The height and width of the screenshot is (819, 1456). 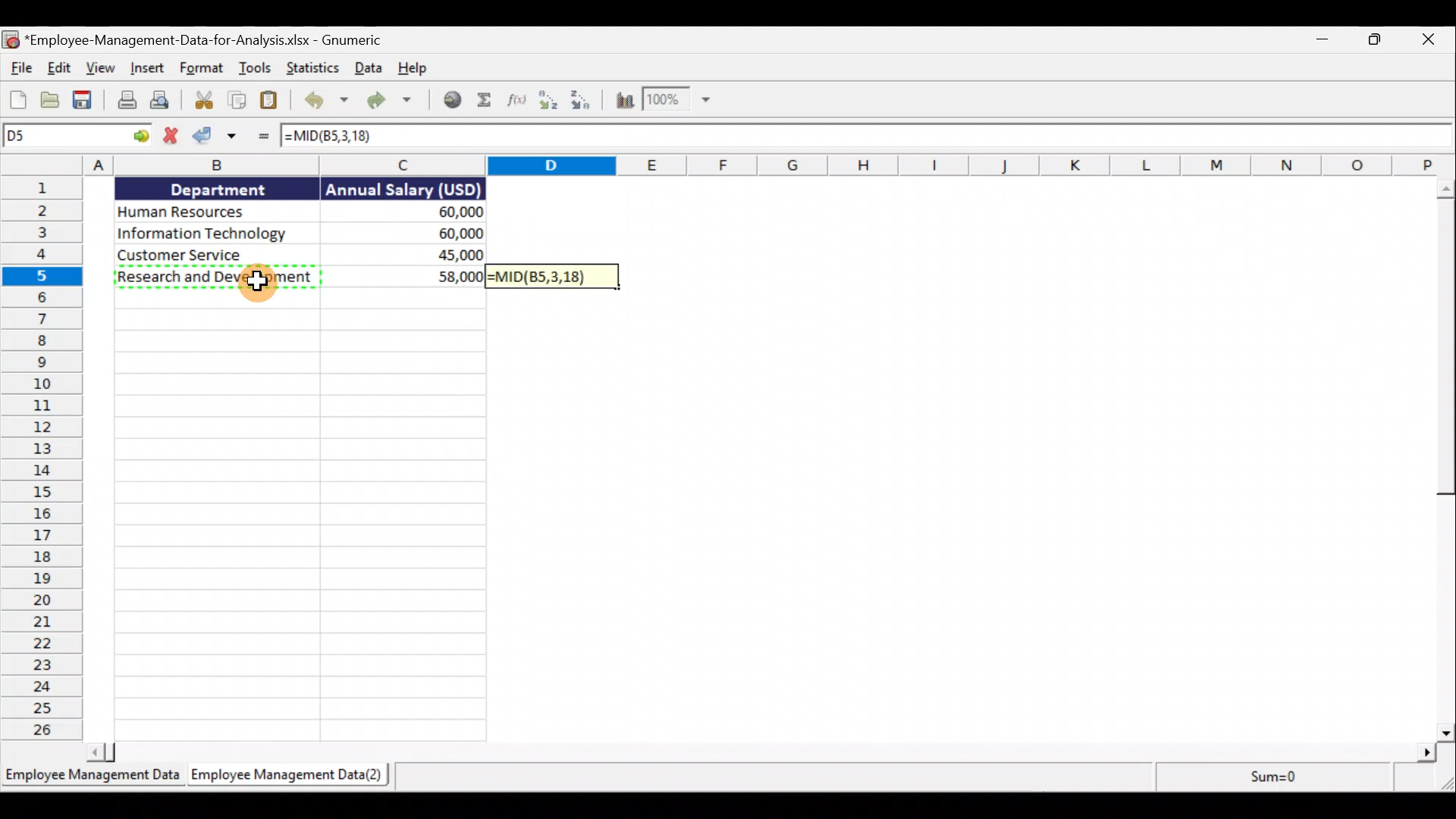 What do you see at coordinates (81, 99) in the screenshot?
I see `Save the current workbook` at bounding box center [81, 99].